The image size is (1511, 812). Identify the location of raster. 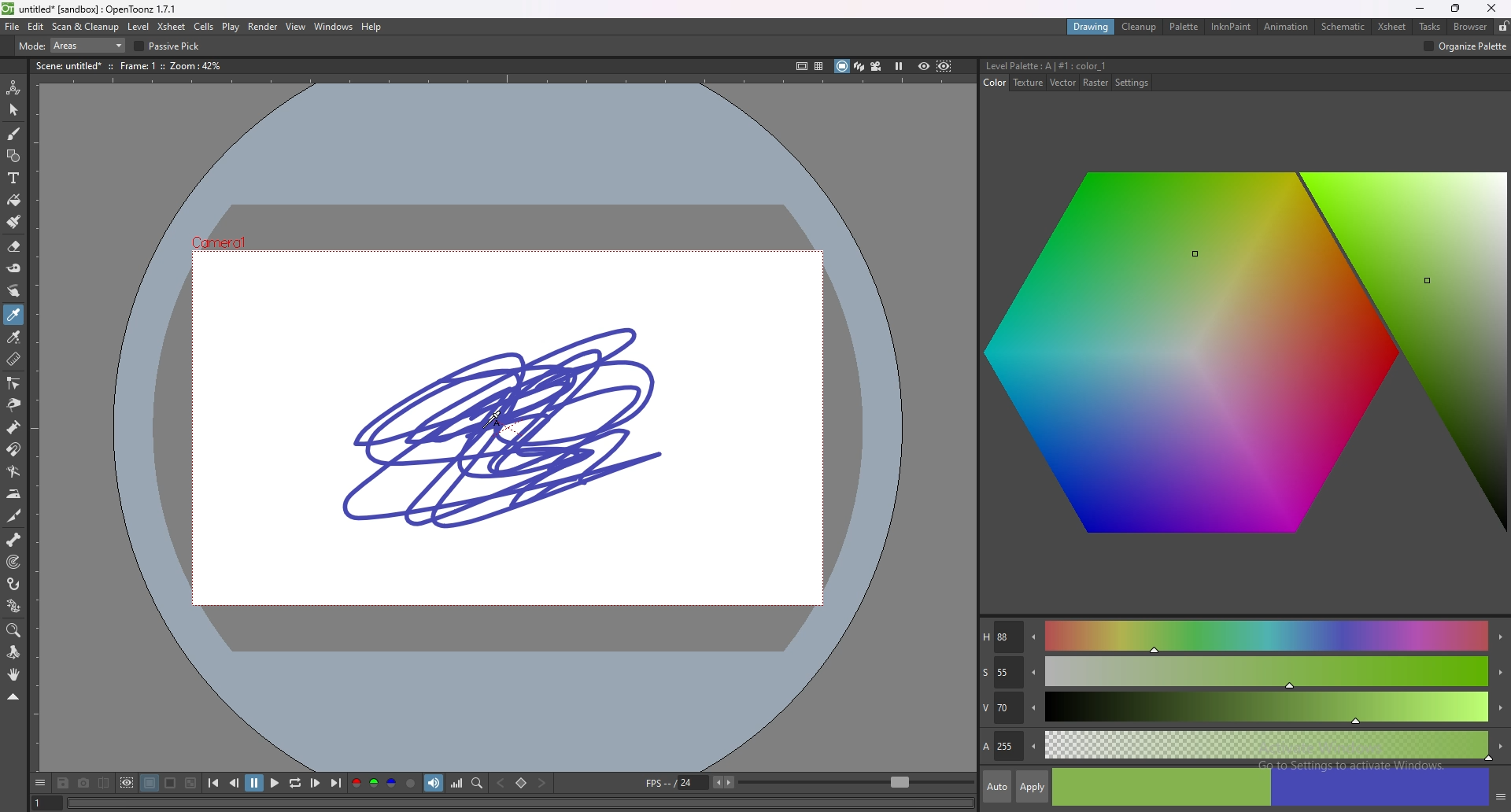
(1096, 83).